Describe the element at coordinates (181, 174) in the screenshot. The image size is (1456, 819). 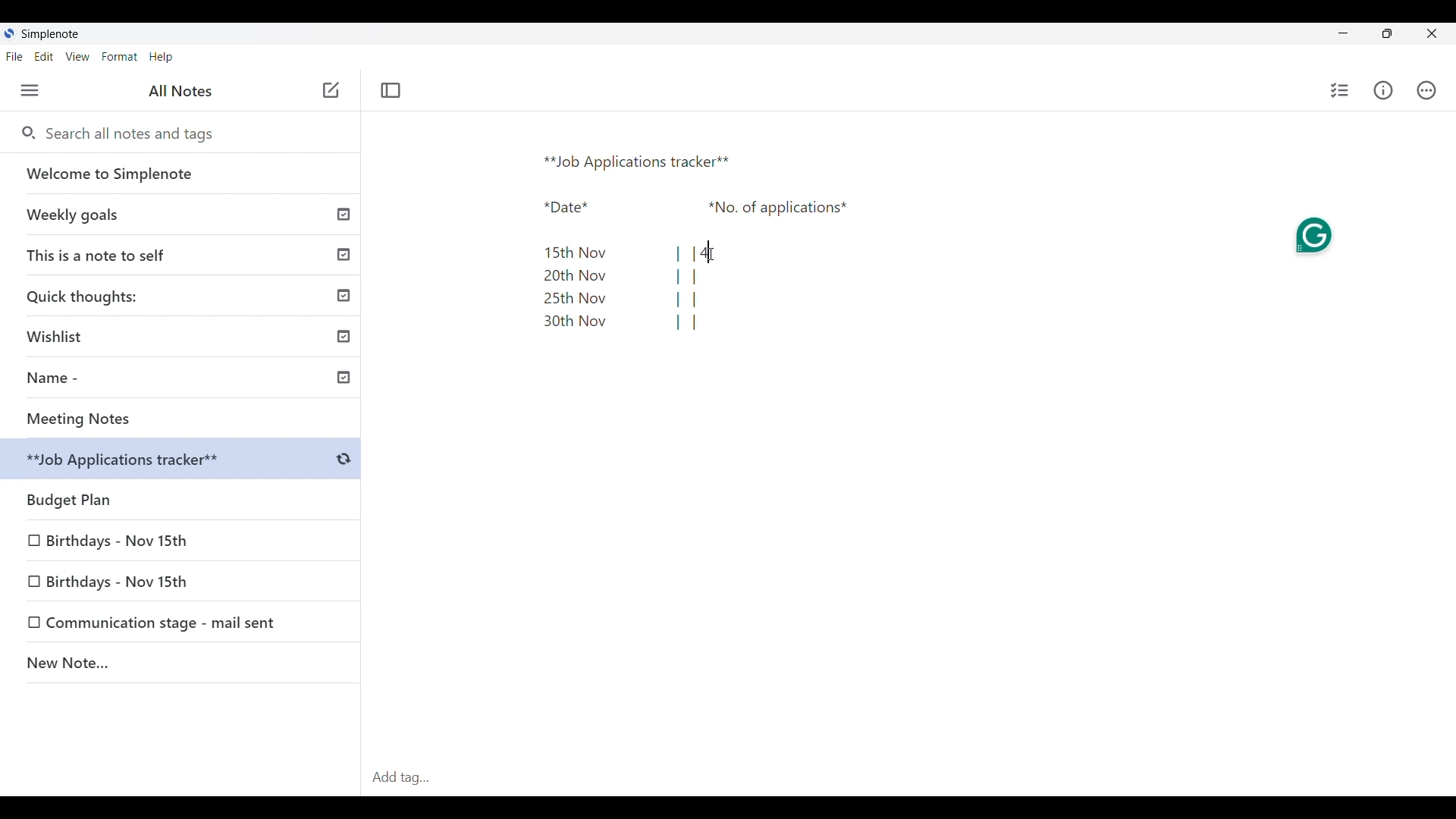
I see `Welcome to Simplenote` at that location.